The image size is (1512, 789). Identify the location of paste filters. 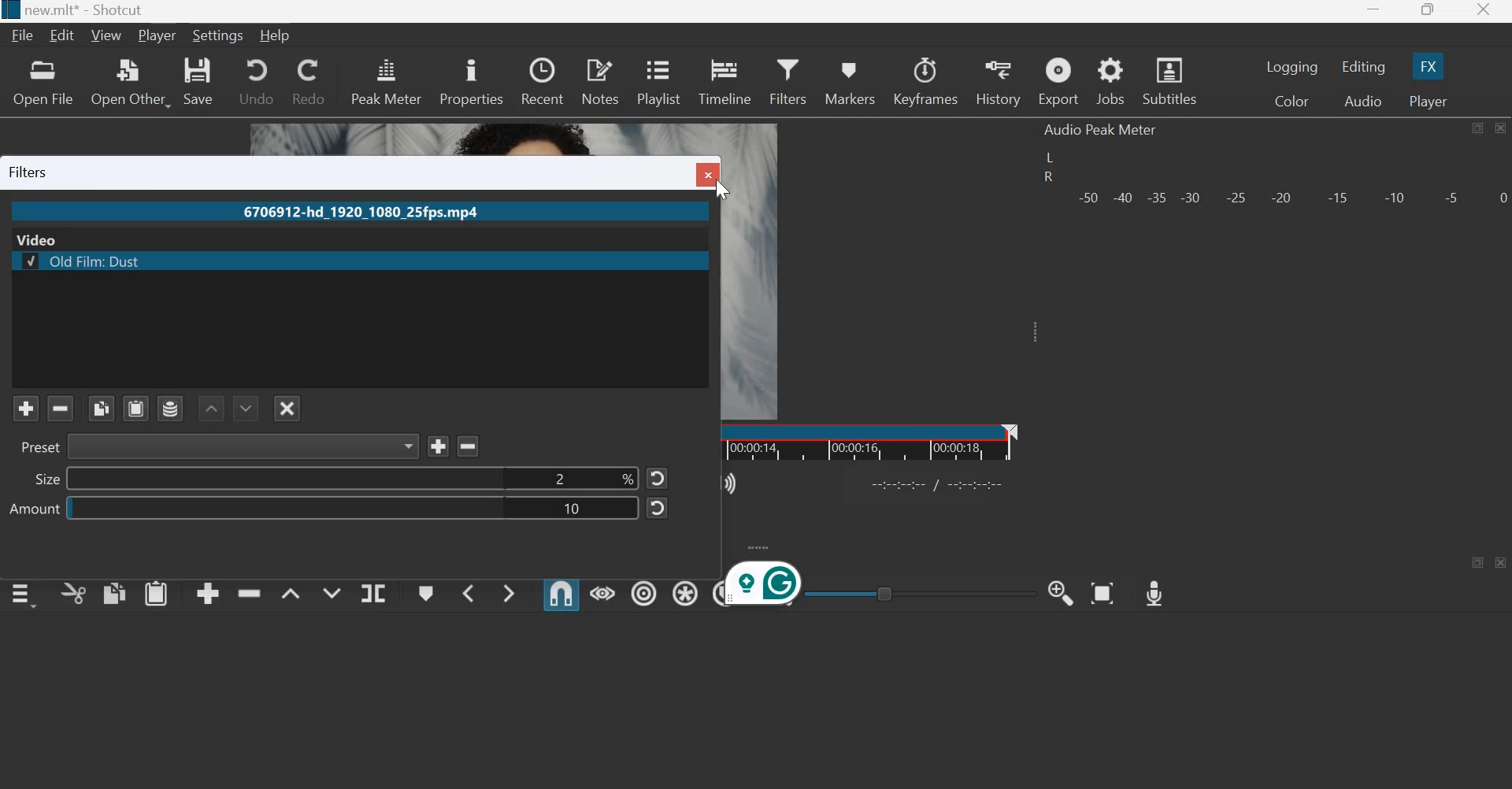
(135, 406).